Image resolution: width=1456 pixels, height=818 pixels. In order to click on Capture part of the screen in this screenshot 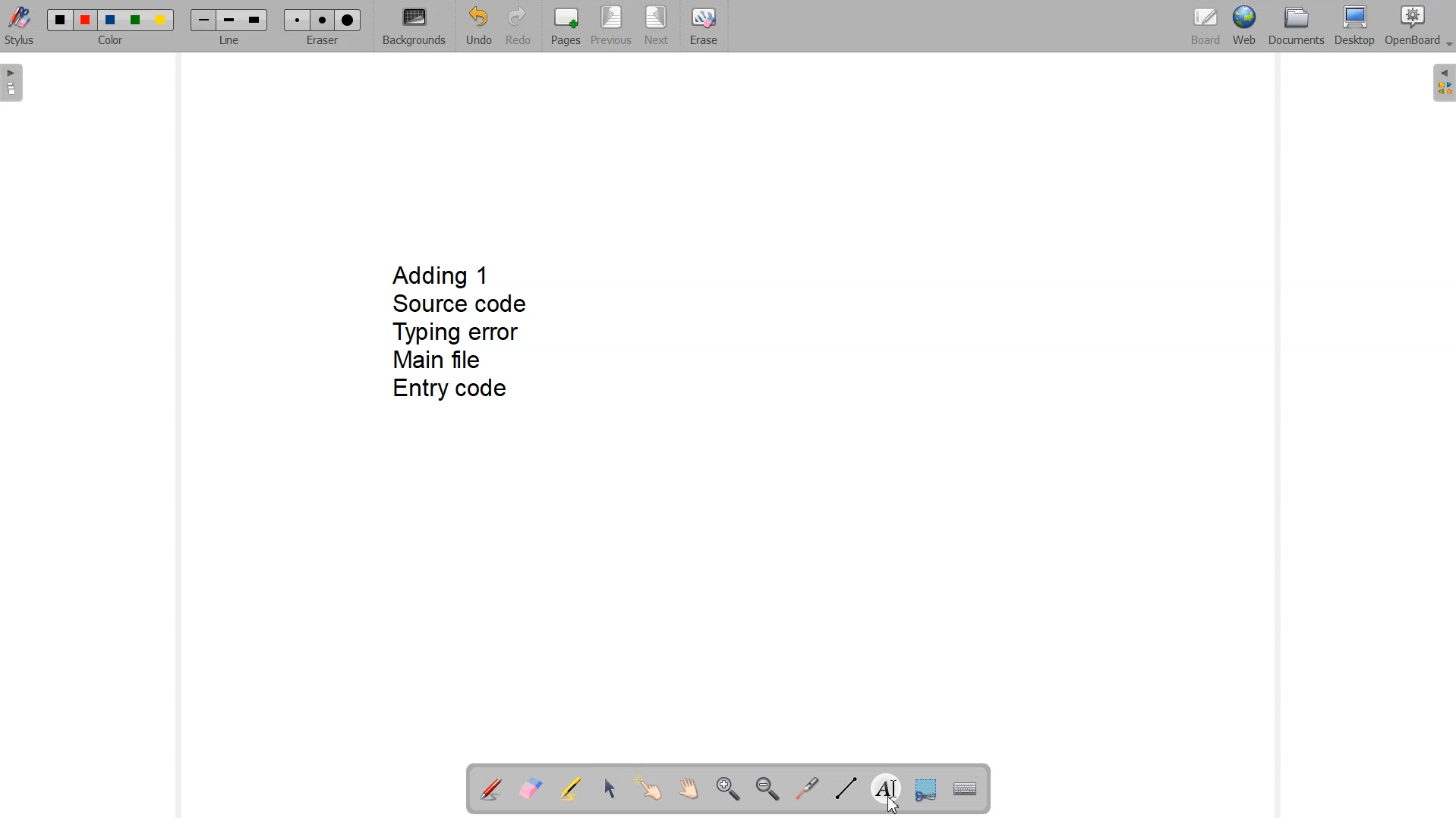, I will do `click(925, 788)`.